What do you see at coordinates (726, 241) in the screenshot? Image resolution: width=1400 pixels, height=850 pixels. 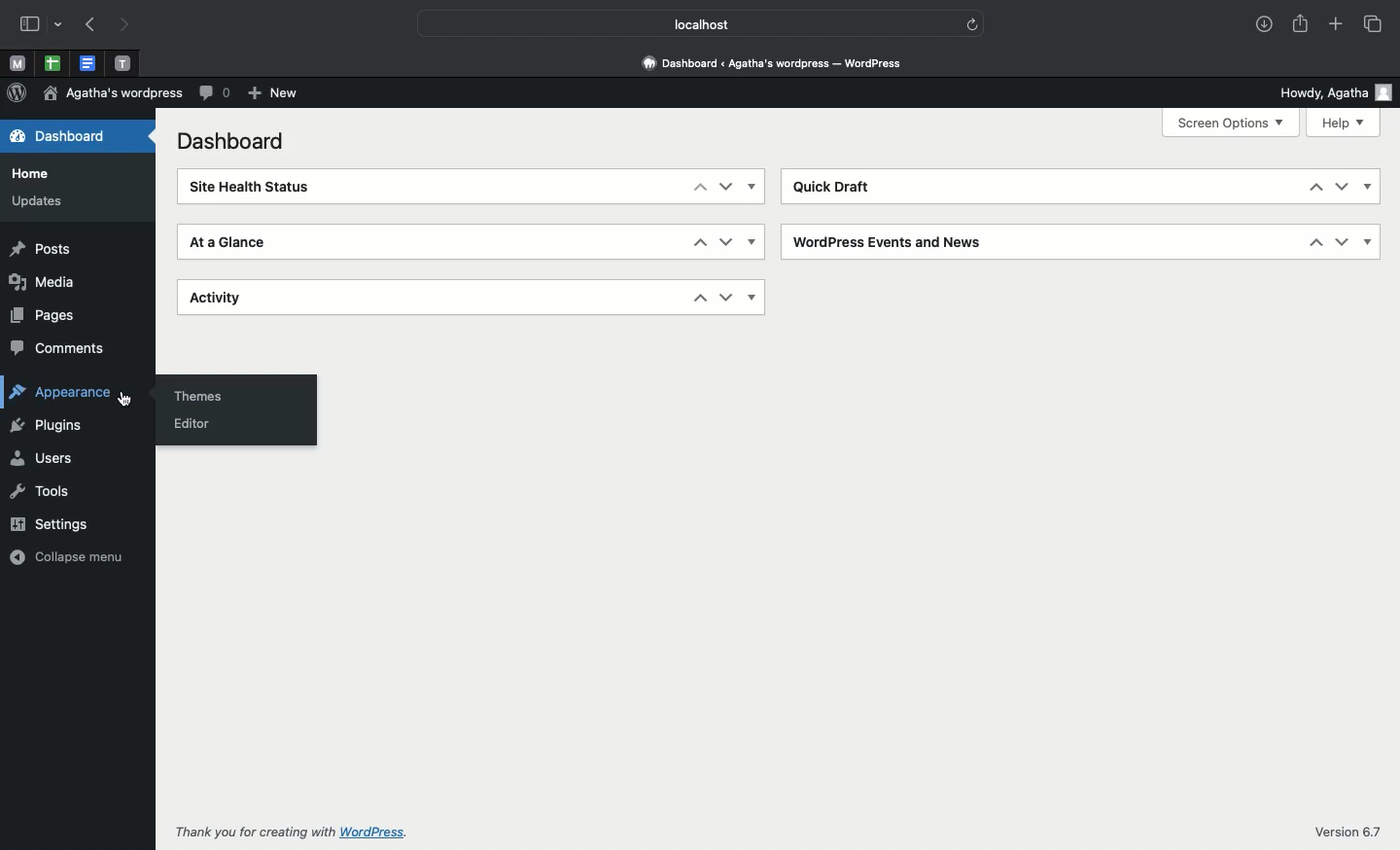 I see `Down` at bounding box center [726, 241].